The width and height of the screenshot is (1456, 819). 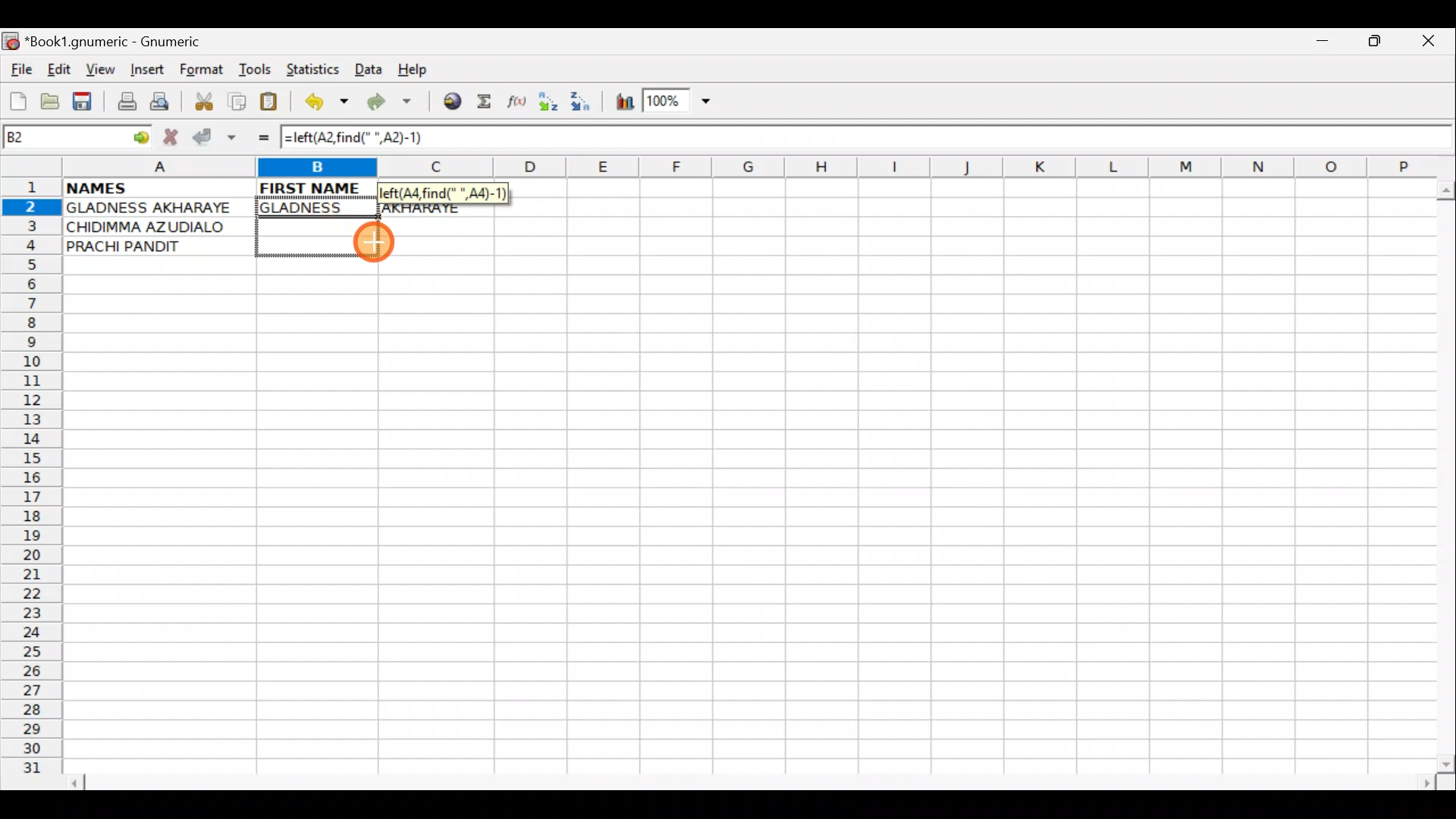 I want to click on Zoom, so click(x=679, y=103).